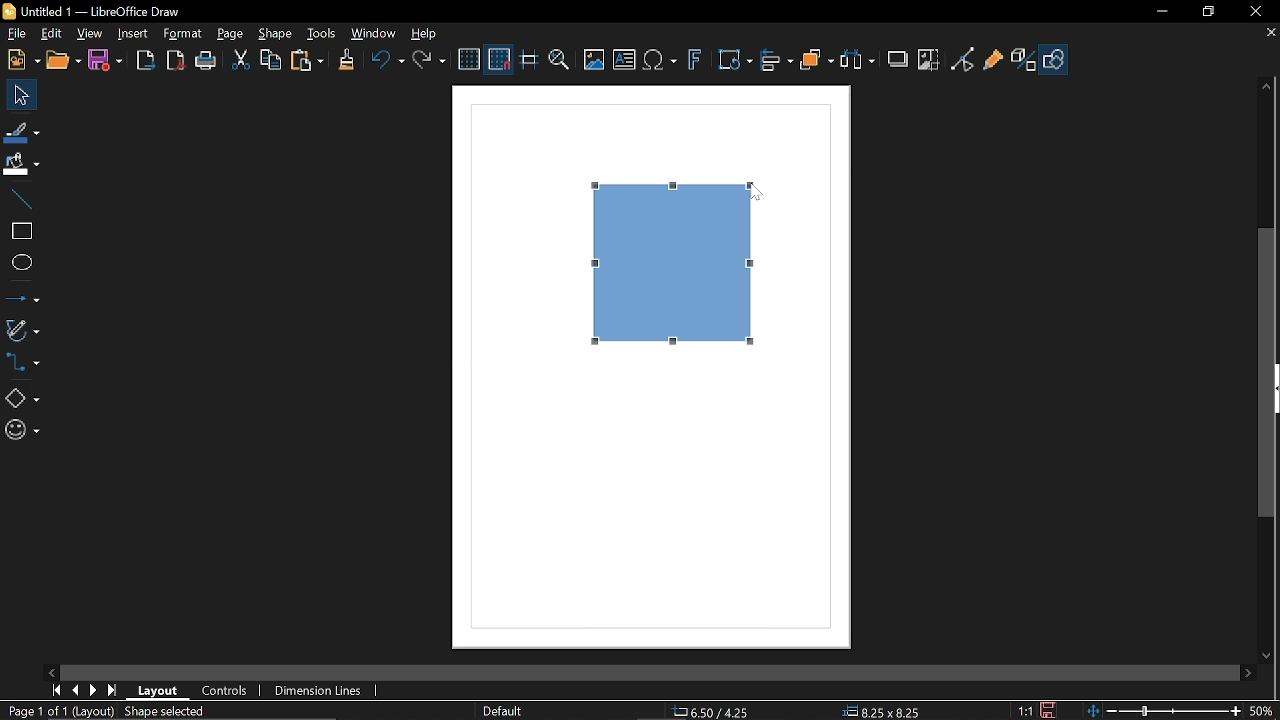  I want to click on Move left, so click(49, 669).